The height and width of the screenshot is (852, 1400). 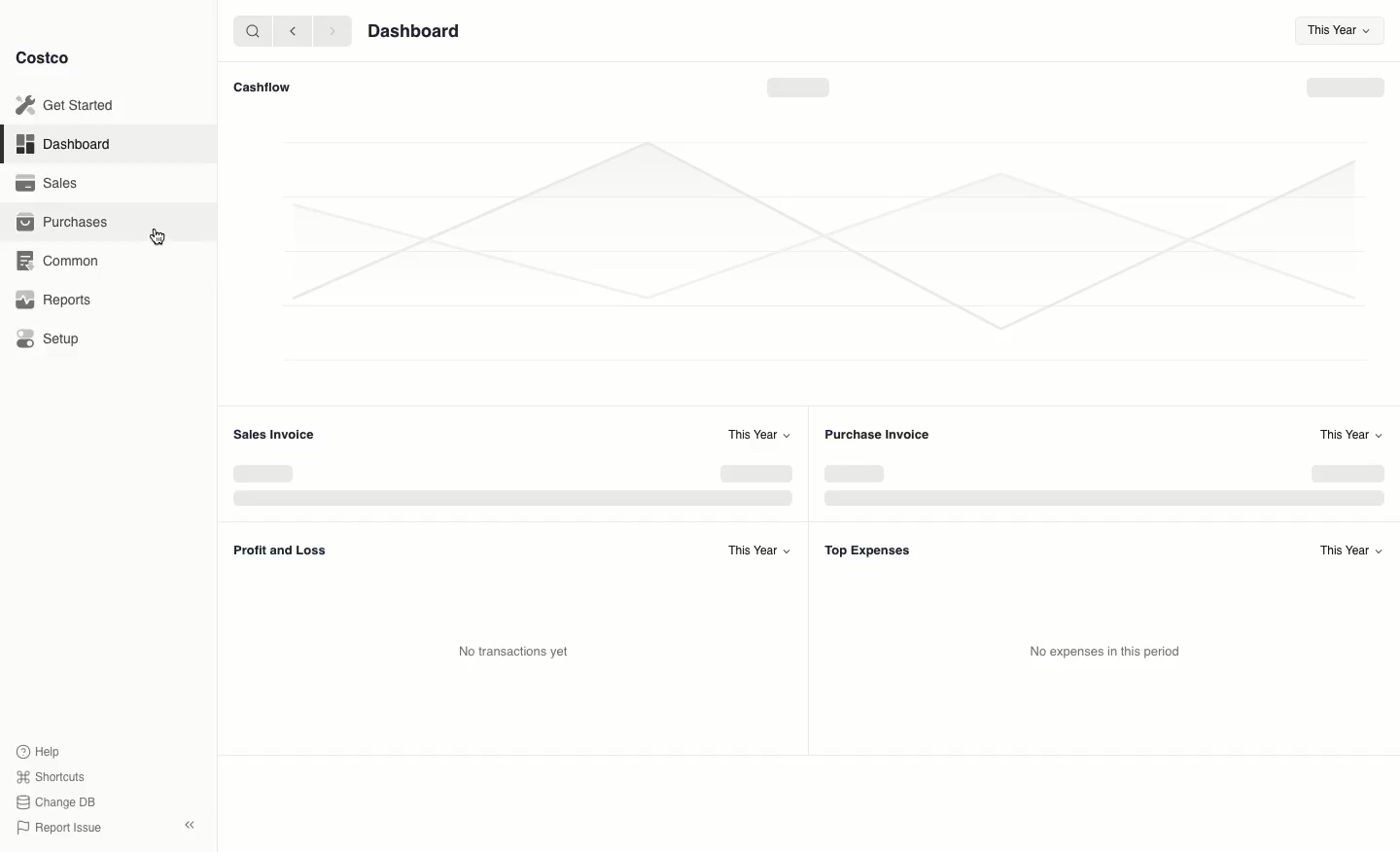 What do you see at coordinates (265, 88) in the screenshot?
I see `Cashflow` at bounding box center [265, 88].